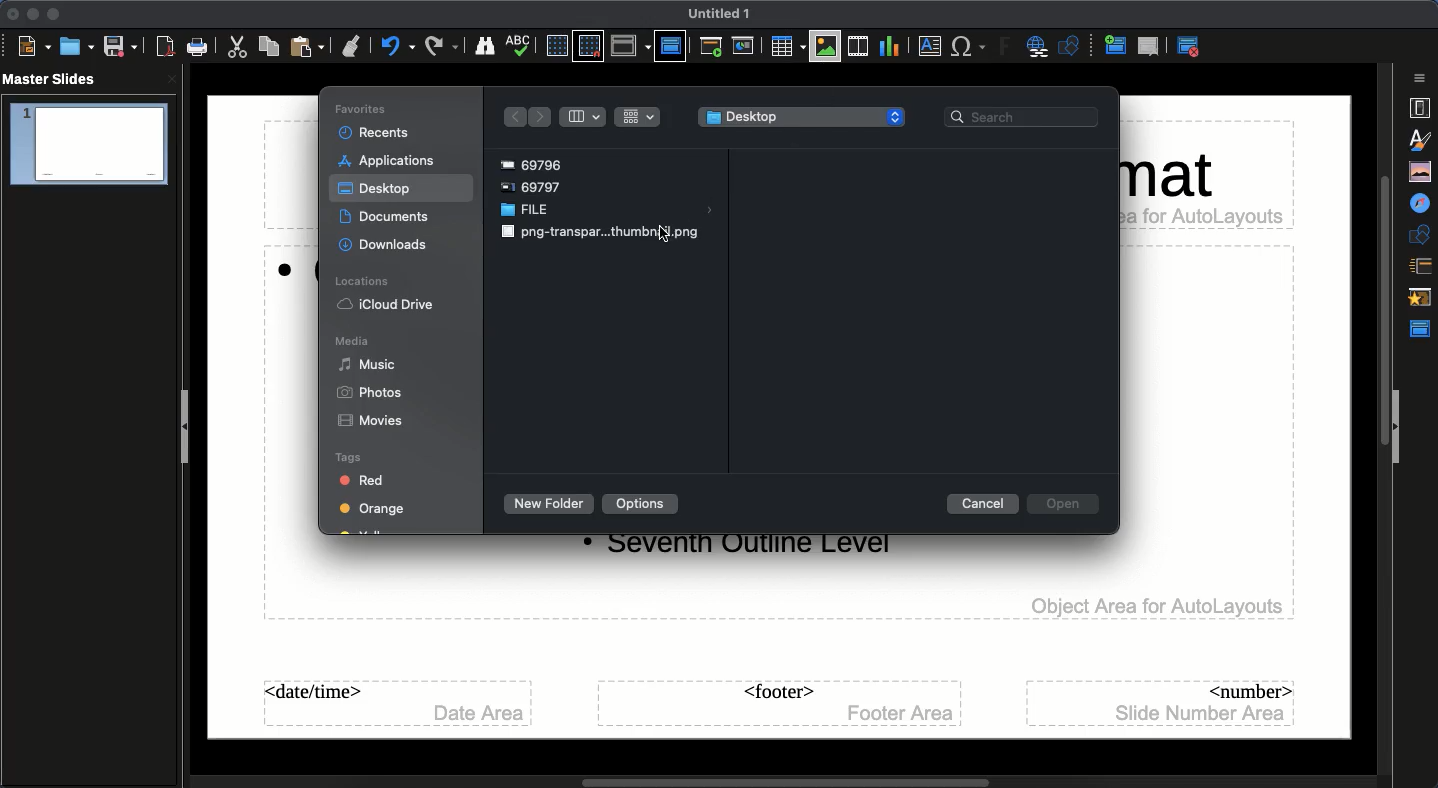 This screenshot has height=788, width=1438. I want to click on Start from first slide, so click(713, 49).